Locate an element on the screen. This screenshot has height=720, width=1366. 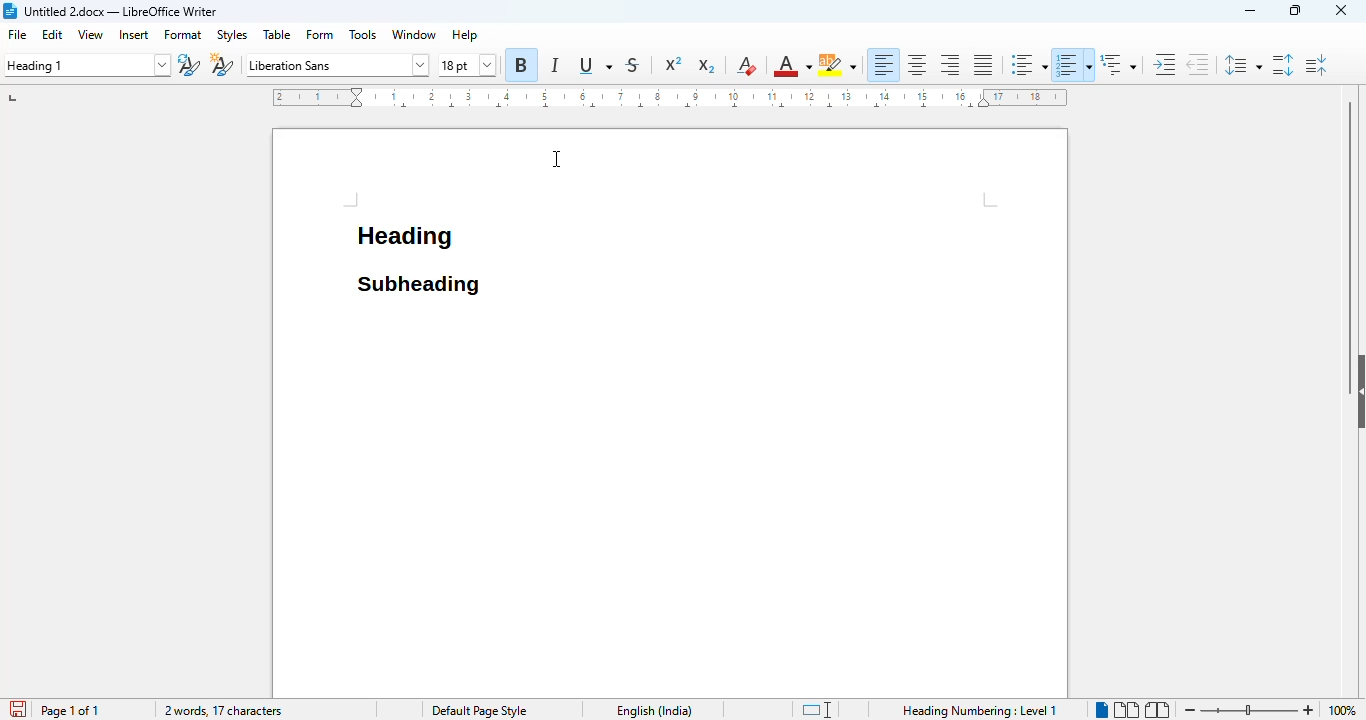
character highlighting color is located at coordinates (837, 65).